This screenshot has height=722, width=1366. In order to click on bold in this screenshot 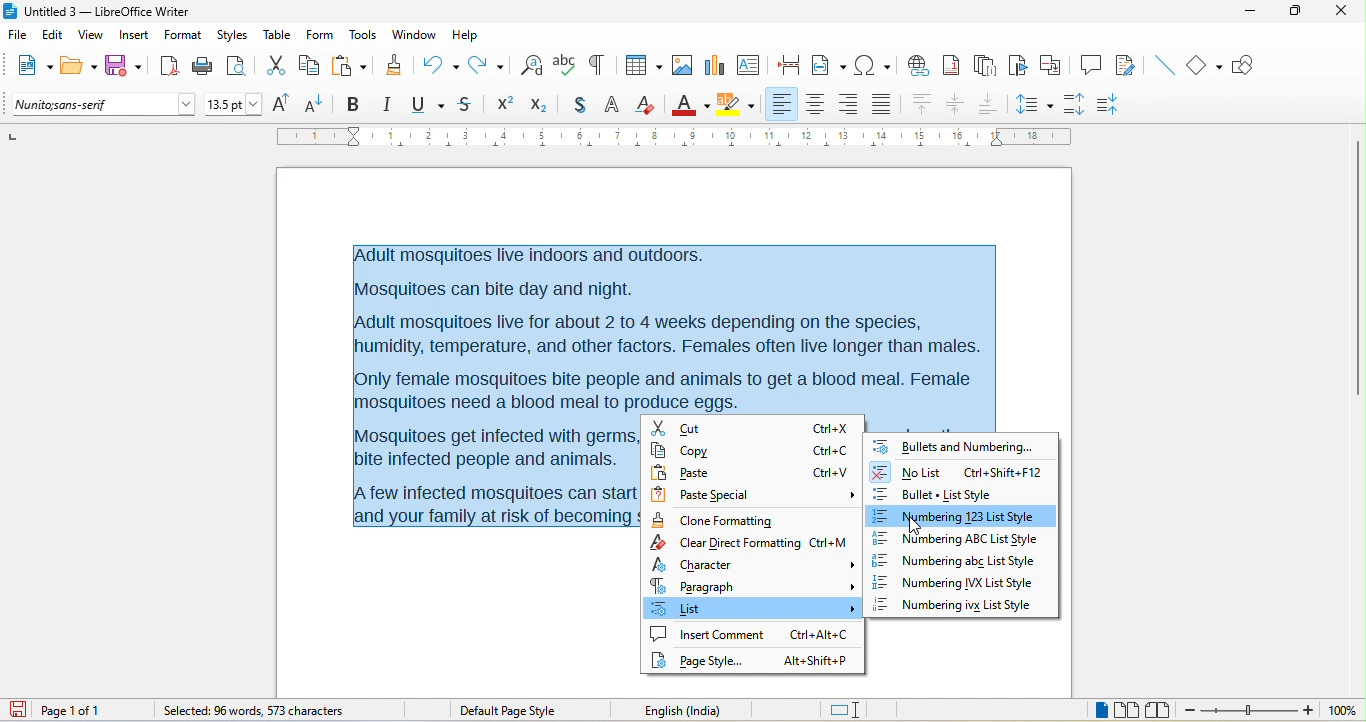, I will do `click(355, 103)`.